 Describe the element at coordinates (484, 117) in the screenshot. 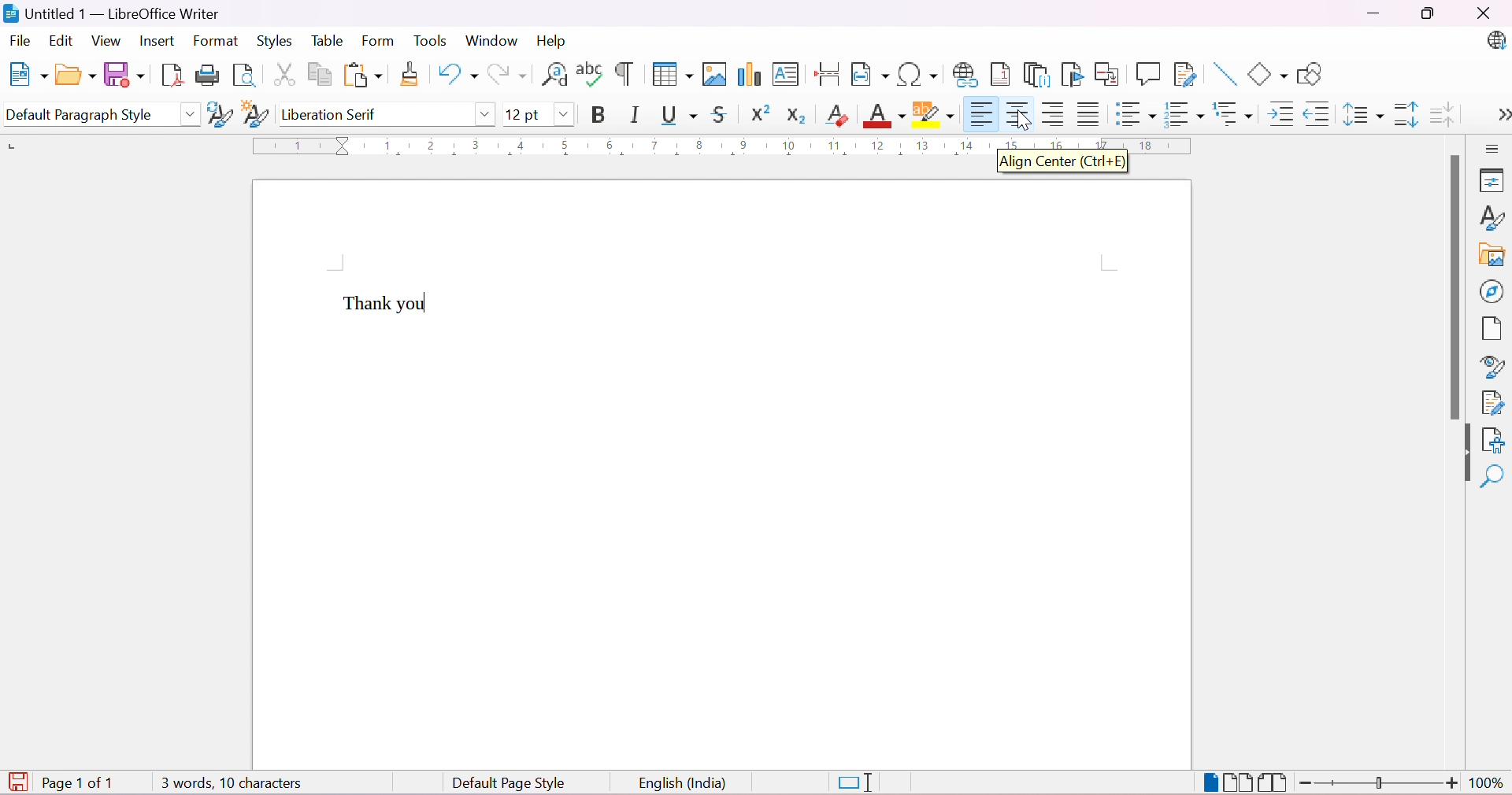

I see `Drop Down` at that location.